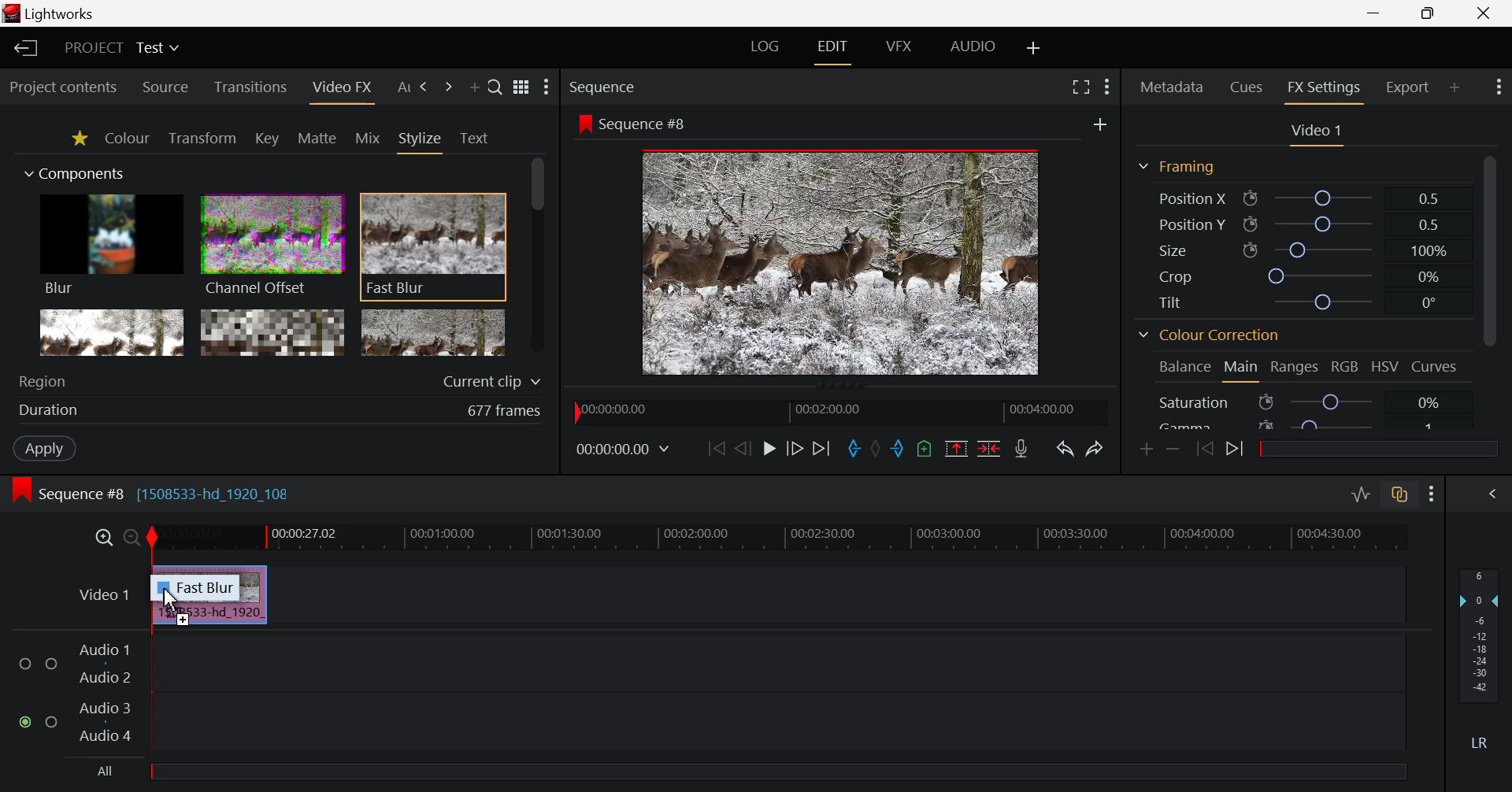 The height and width of the screenshot is (792, 1512). What do you see at coordinates (1432, 494) in the screenshot?
I see `Show Settings` at bounding box center [1432, 494].